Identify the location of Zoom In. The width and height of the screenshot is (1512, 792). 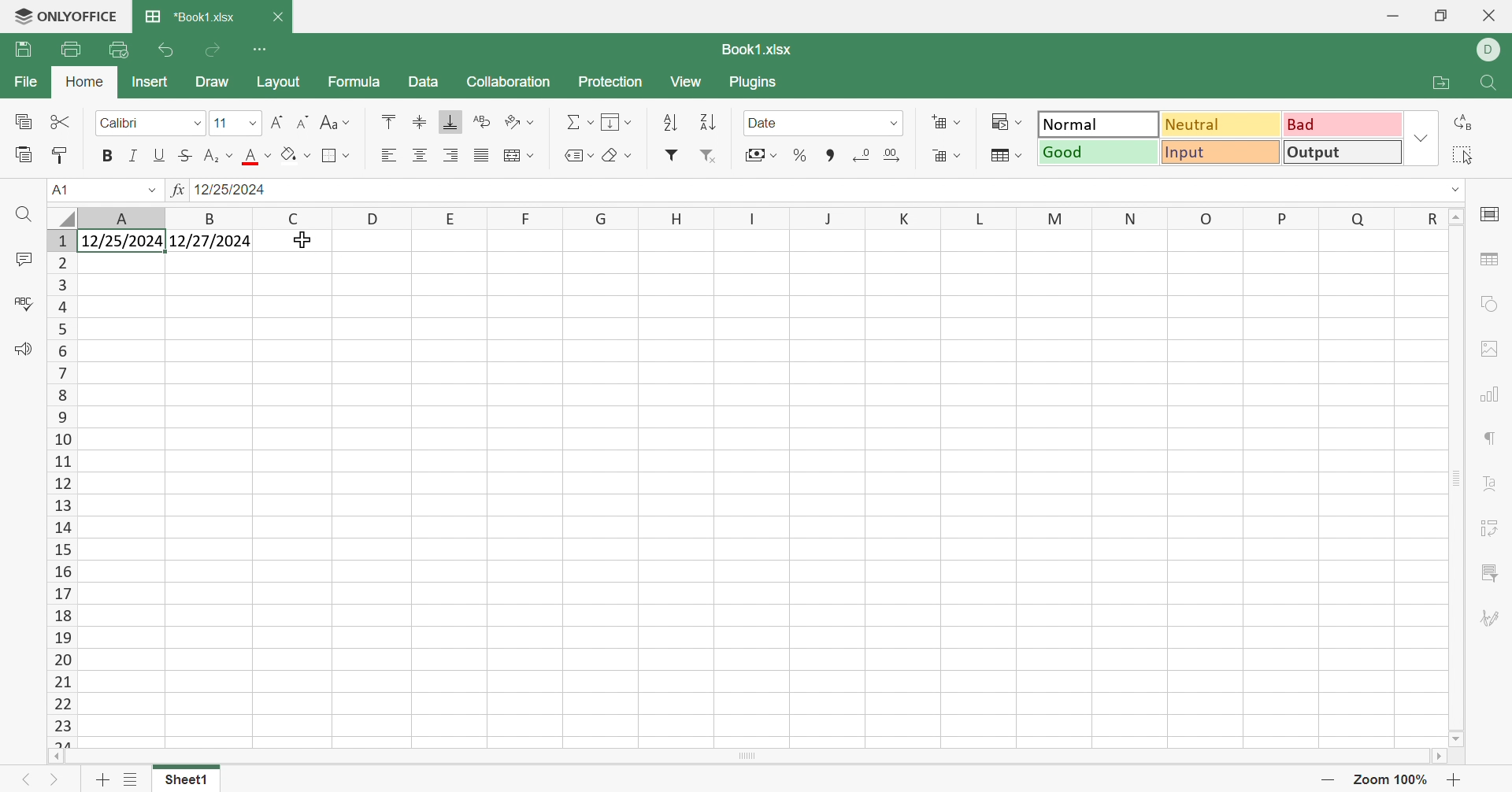
(1456, 779).